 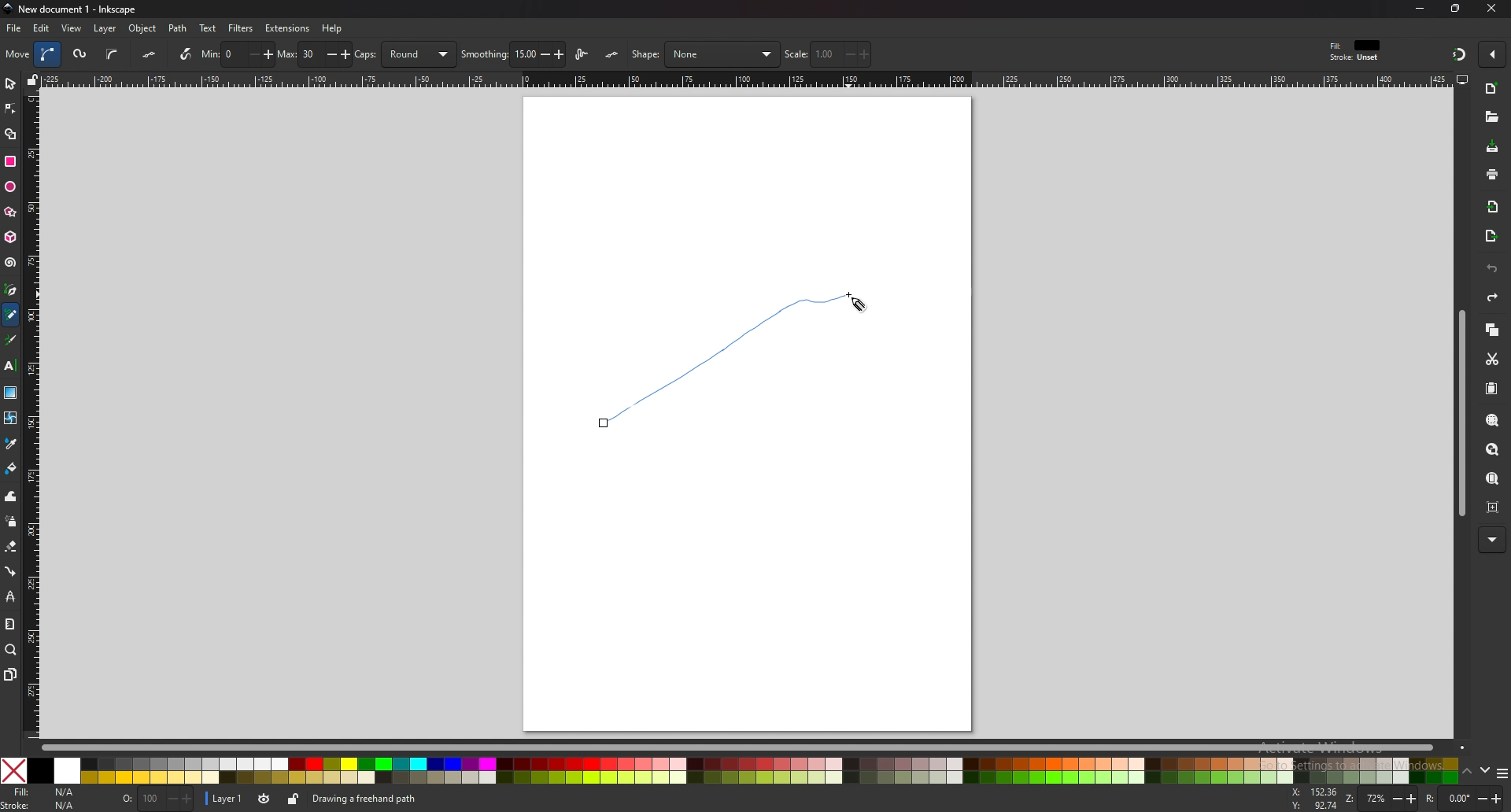 I want to click on spray, so click(x=10, y=522).